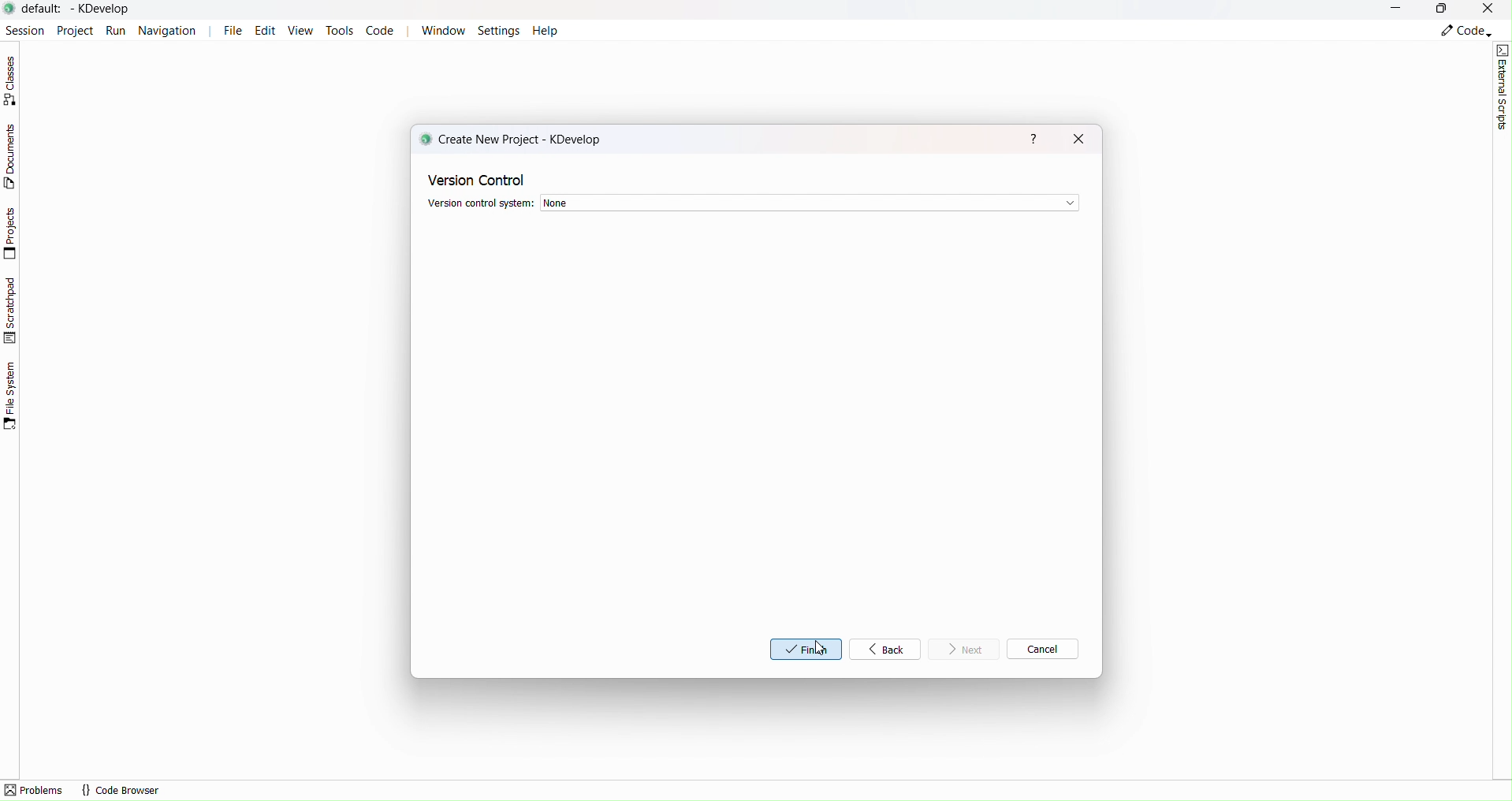 The height and width of the screenshot is (801, 1512). I want to click on Finish, so click(806, 650).